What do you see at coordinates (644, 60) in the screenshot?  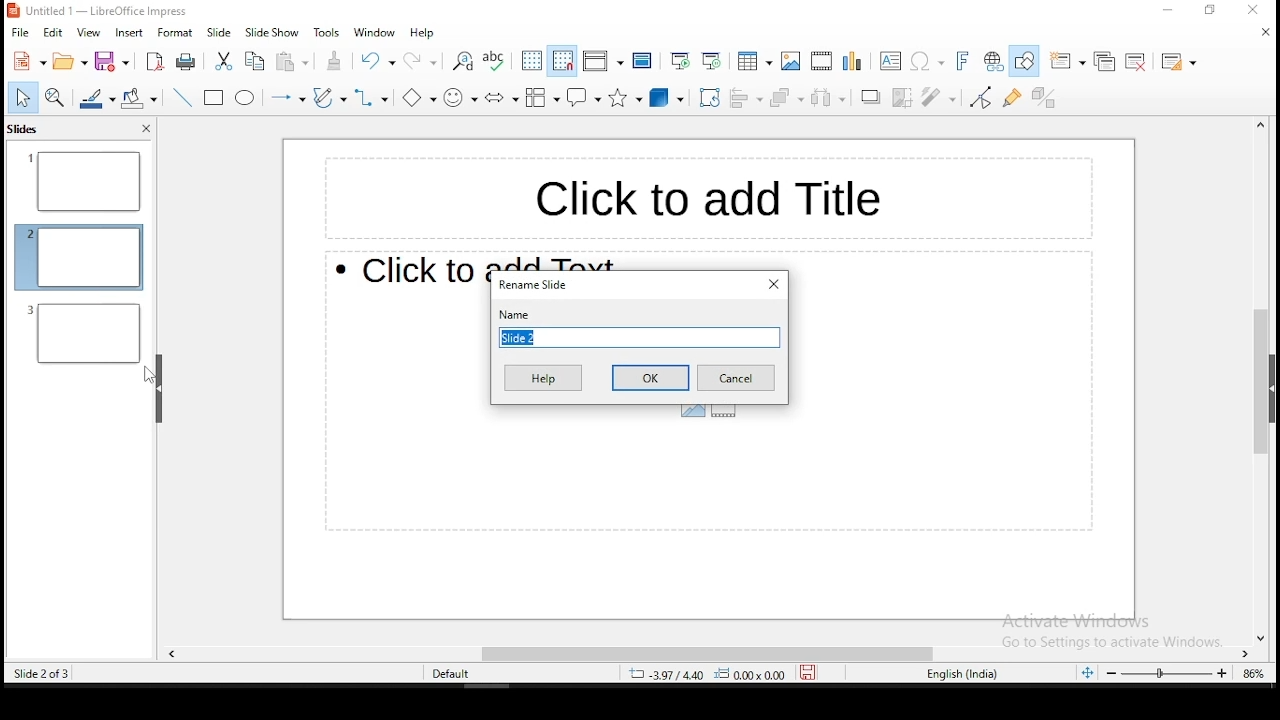 I see `master slide` at bounding box center [644, 60].